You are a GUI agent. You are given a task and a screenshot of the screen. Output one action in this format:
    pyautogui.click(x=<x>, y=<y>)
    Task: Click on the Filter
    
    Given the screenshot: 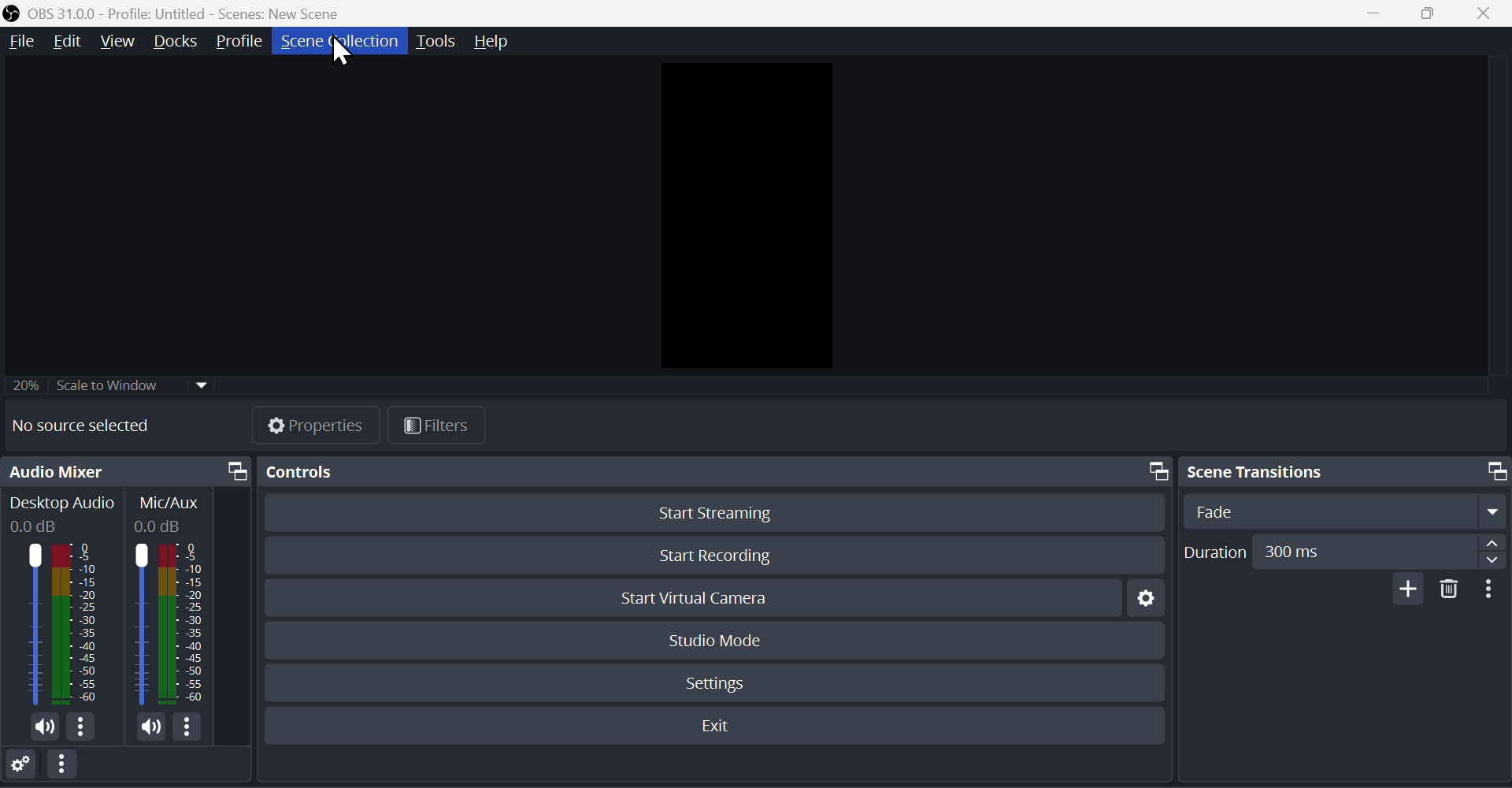 What is the action you would take?
    pyautogui.click(x=438, y=426)
    